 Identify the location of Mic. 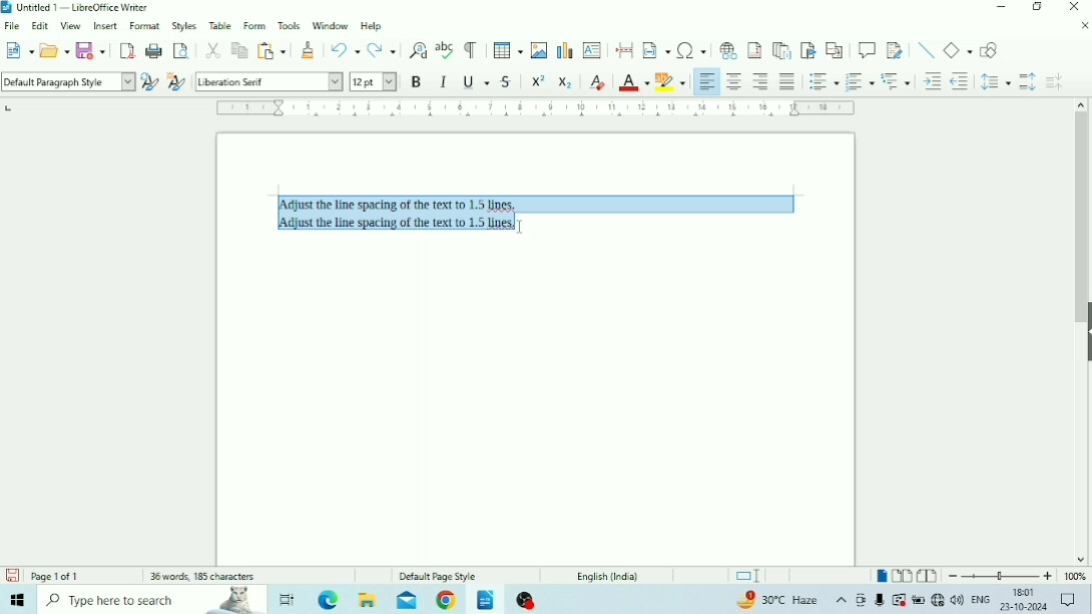
(879, 600).